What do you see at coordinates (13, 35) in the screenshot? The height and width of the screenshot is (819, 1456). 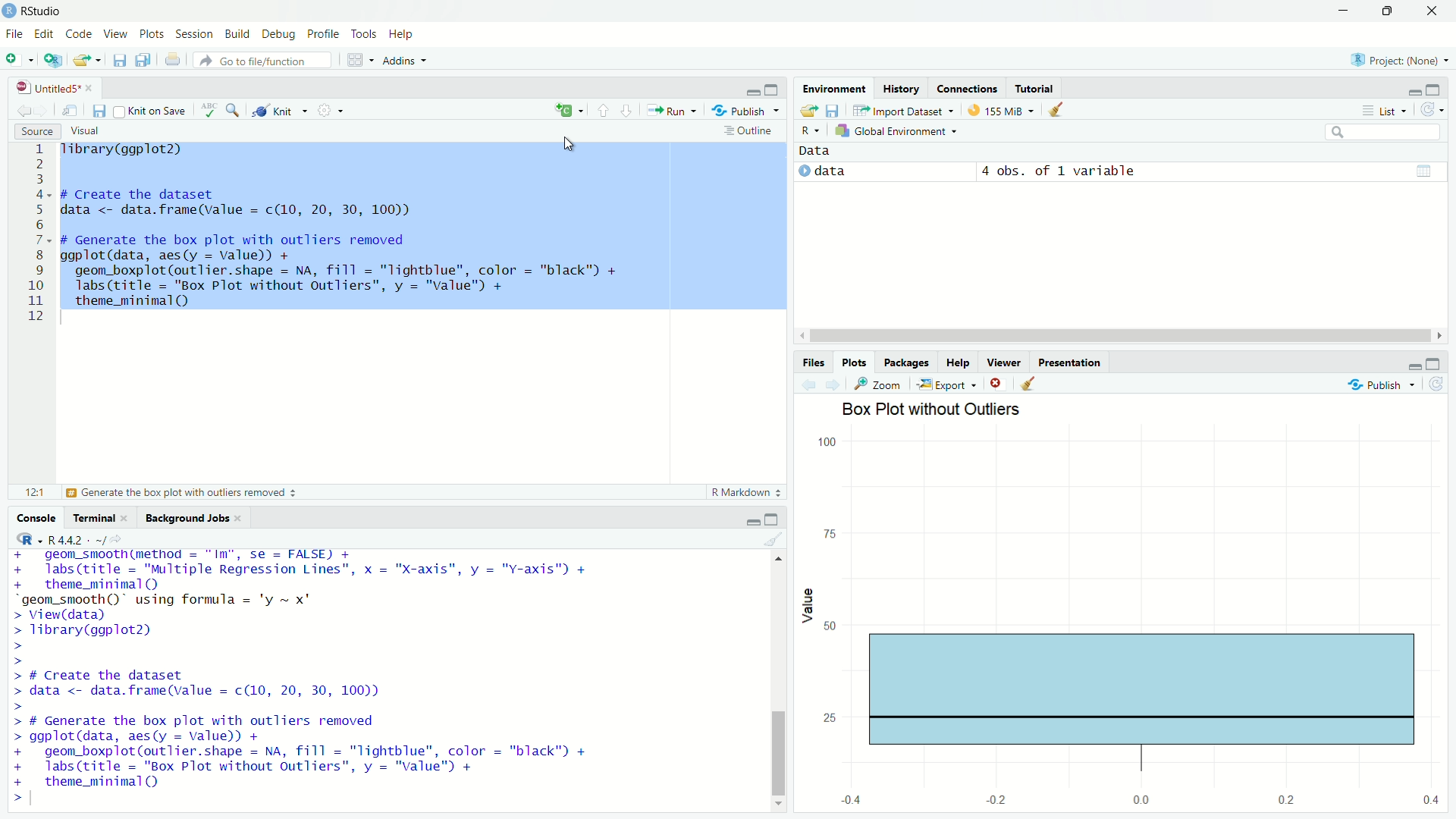 I see `File` at bounding box center [13, 35].